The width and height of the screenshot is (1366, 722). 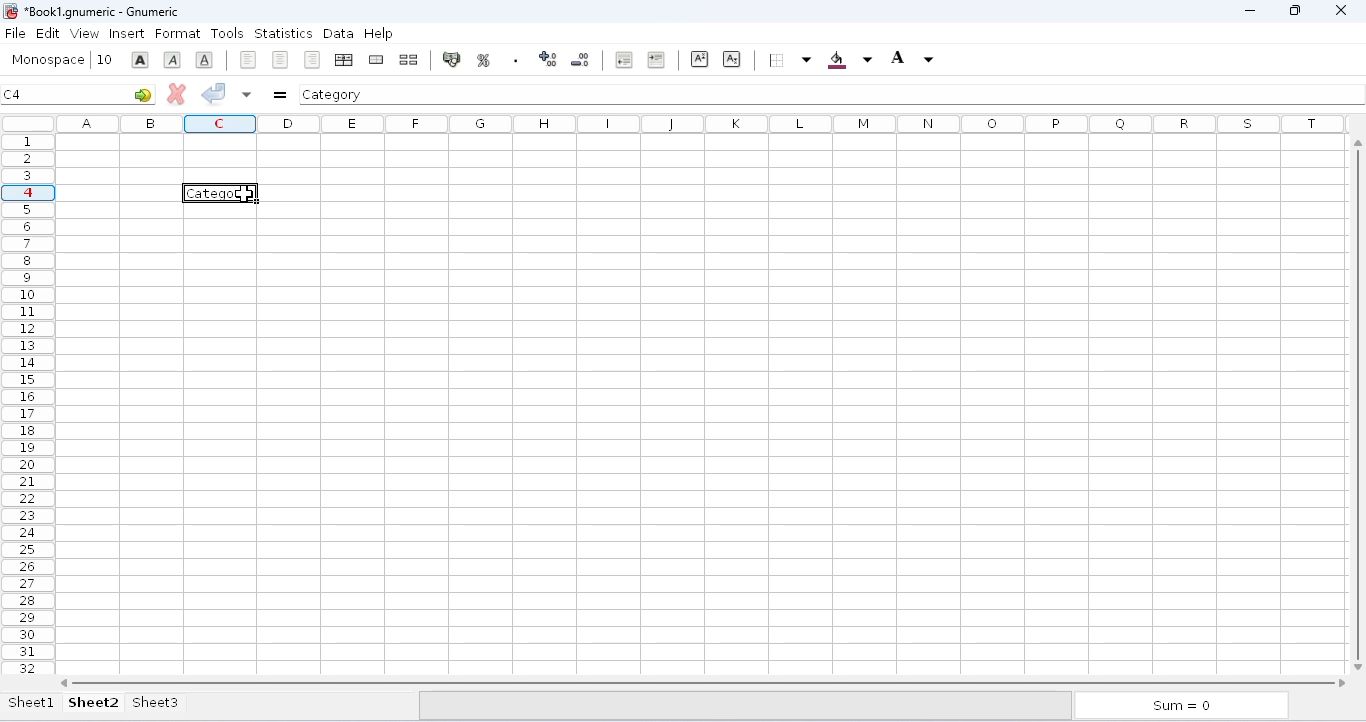 I want to click on merge a range of cells, so click(x=376, y=60).